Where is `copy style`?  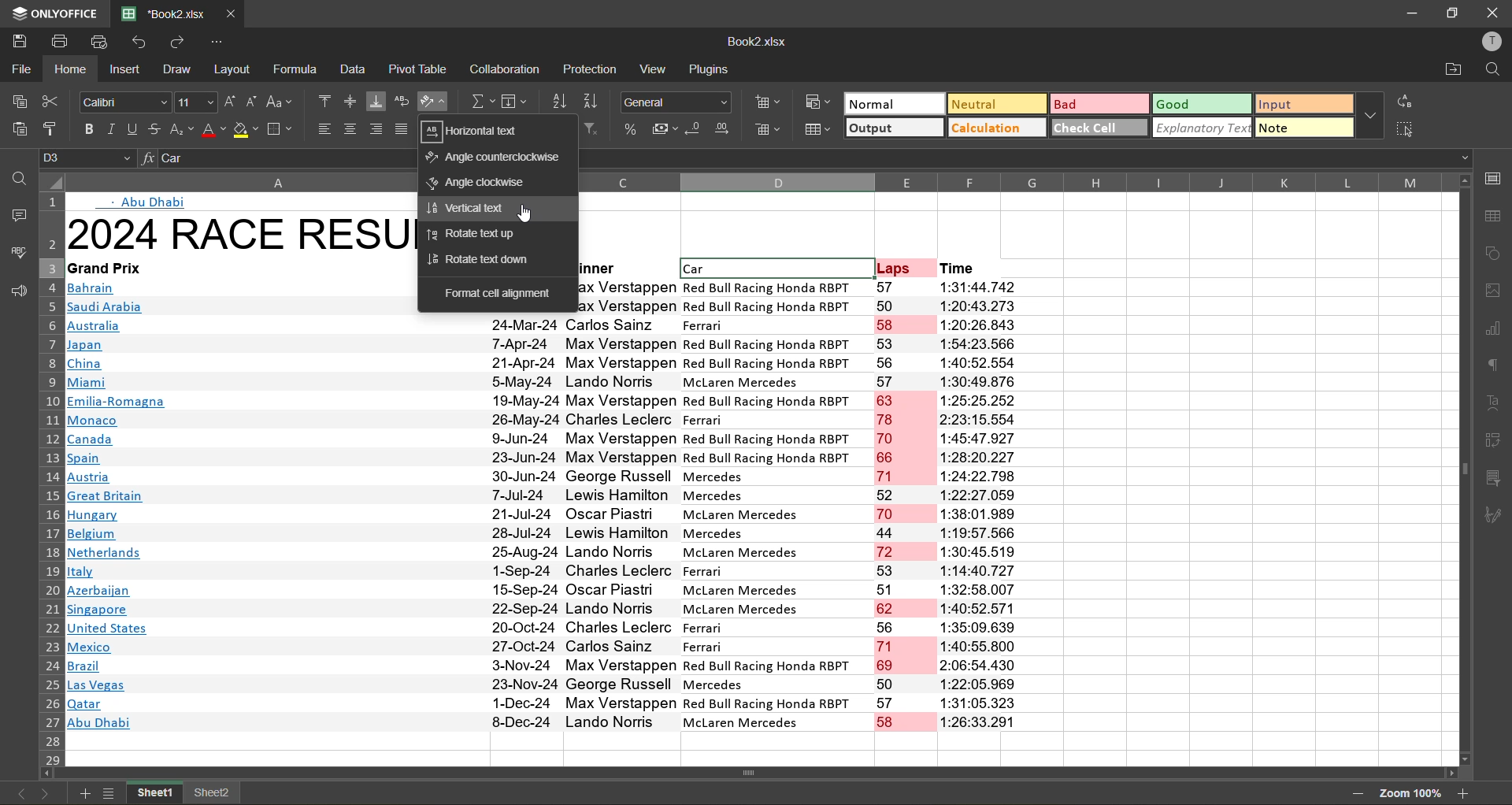
copy style is located at coordinates (55, 128).